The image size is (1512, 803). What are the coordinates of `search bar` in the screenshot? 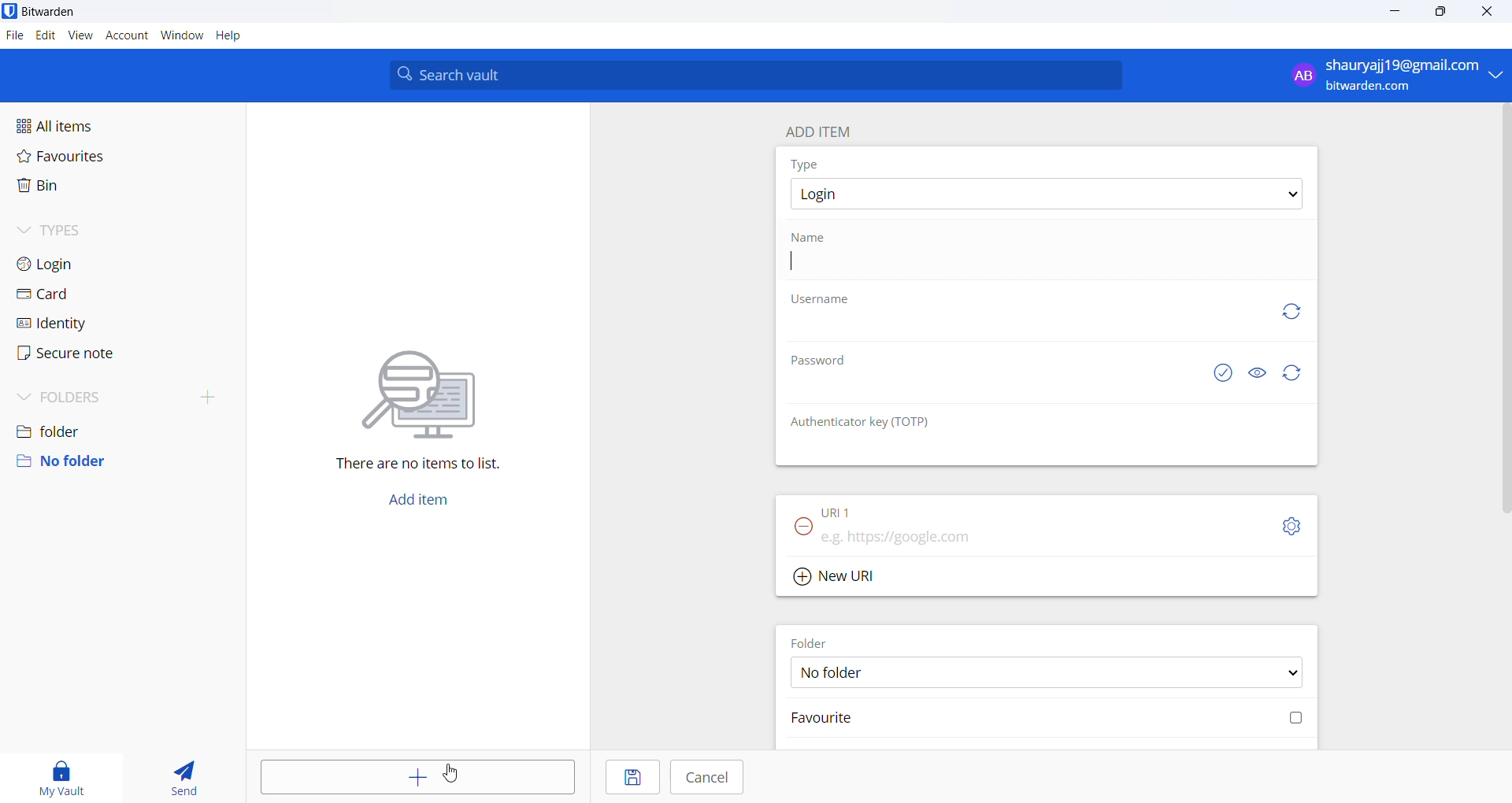 It's located at (755, 74).